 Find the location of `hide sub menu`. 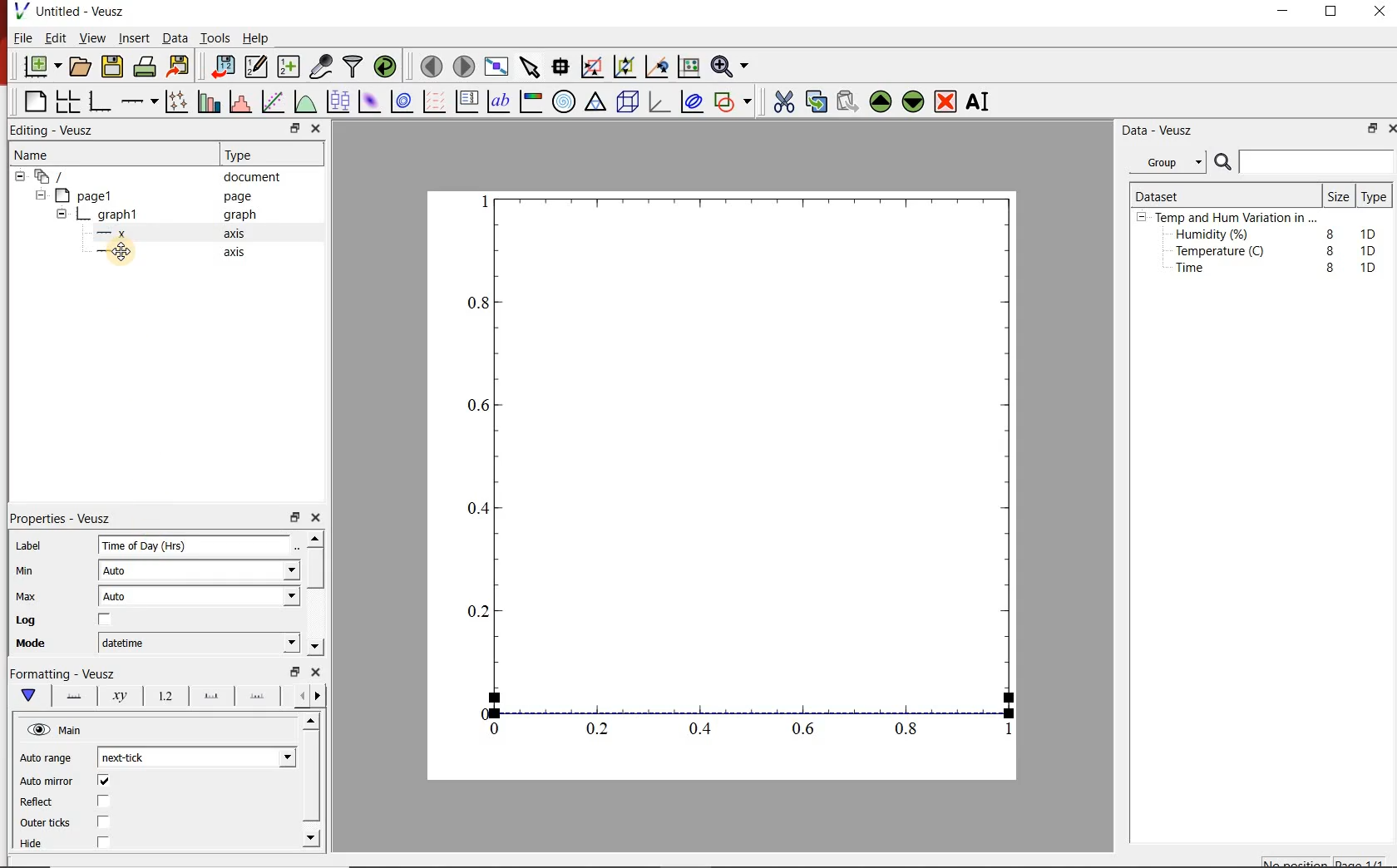

hide sub menu is located at coordinates (62, 213).